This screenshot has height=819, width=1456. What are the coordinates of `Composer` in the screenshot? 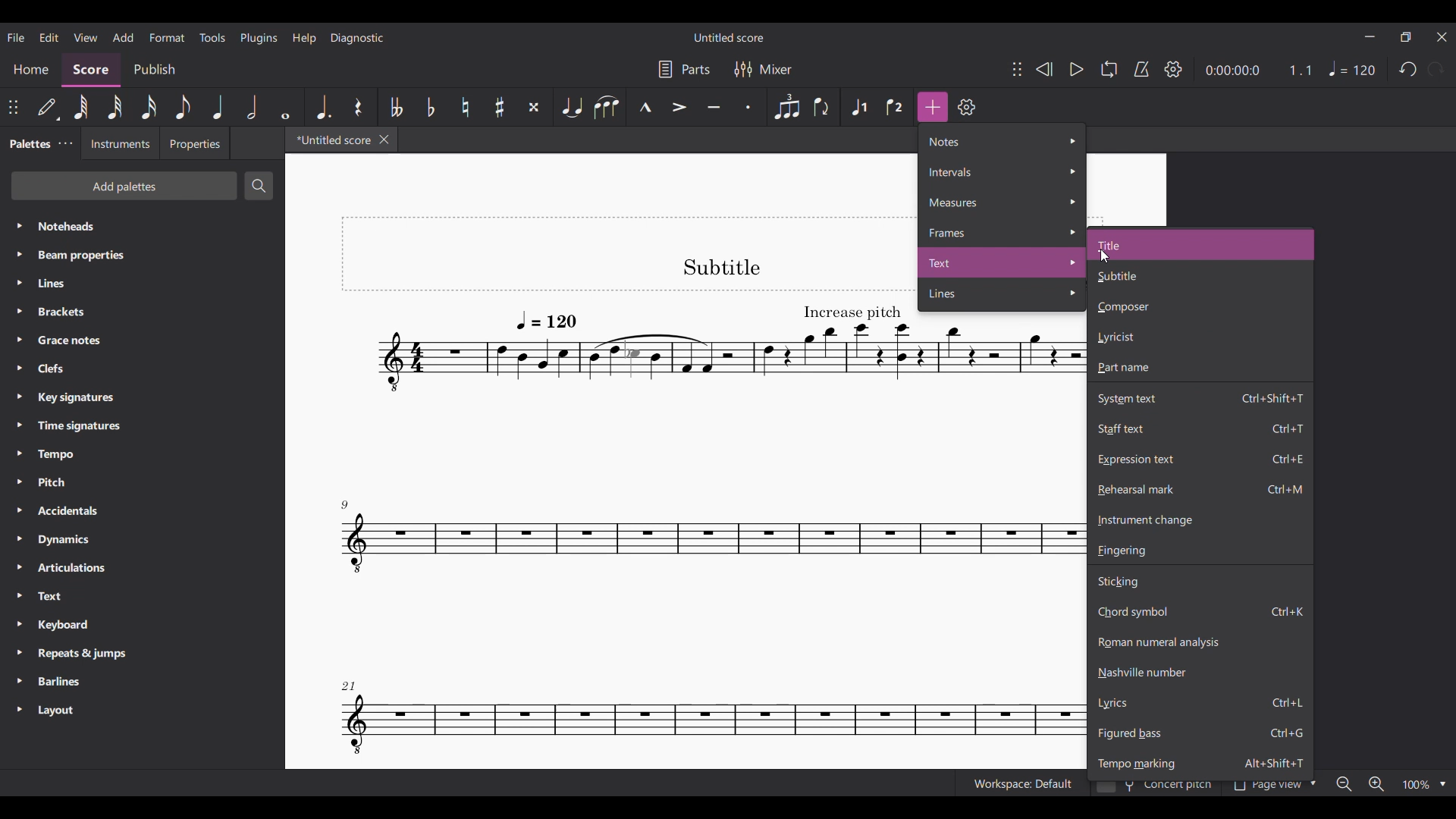 It's located at (1200, 307).